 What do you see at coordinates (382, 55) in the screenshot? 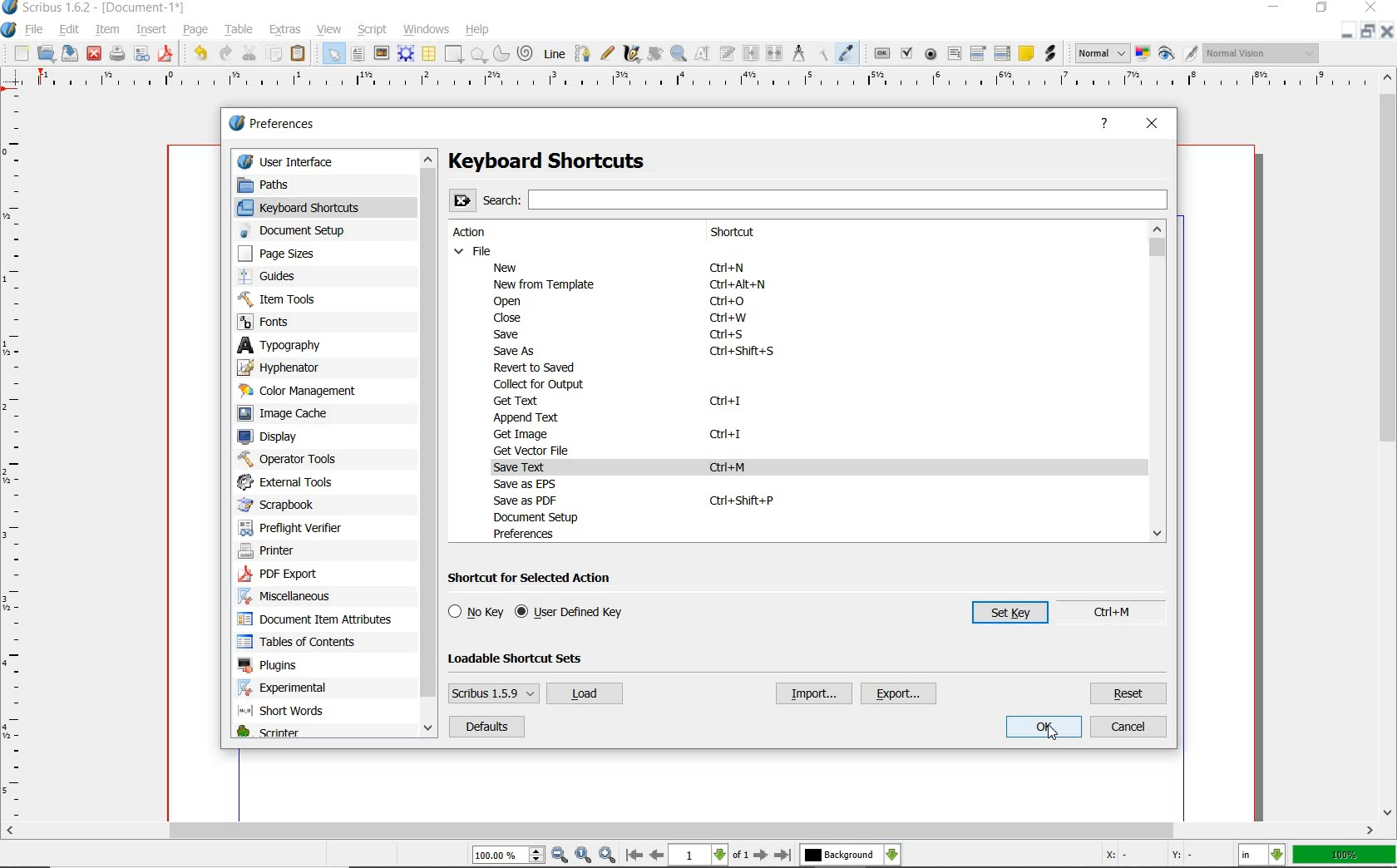
I see `image frame` at bounding box center [382, 55].